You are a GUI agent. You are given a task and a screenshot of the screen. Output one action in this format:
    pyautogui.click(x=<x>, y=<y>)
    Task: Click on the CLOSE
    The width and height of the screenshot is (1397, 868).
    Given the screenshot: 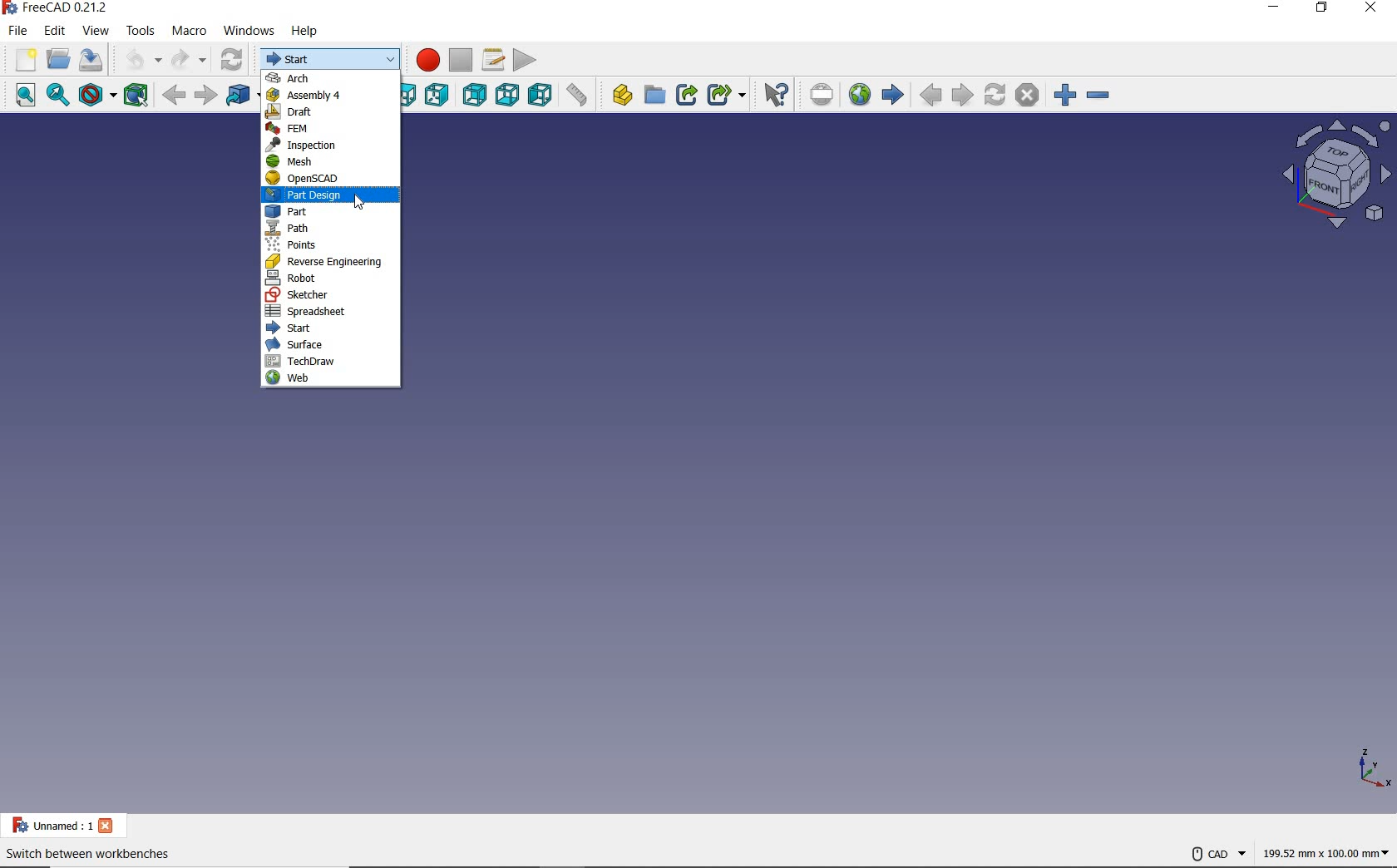 What is the action you would take?
    pyautogui.click(x=1374, y=11)
    